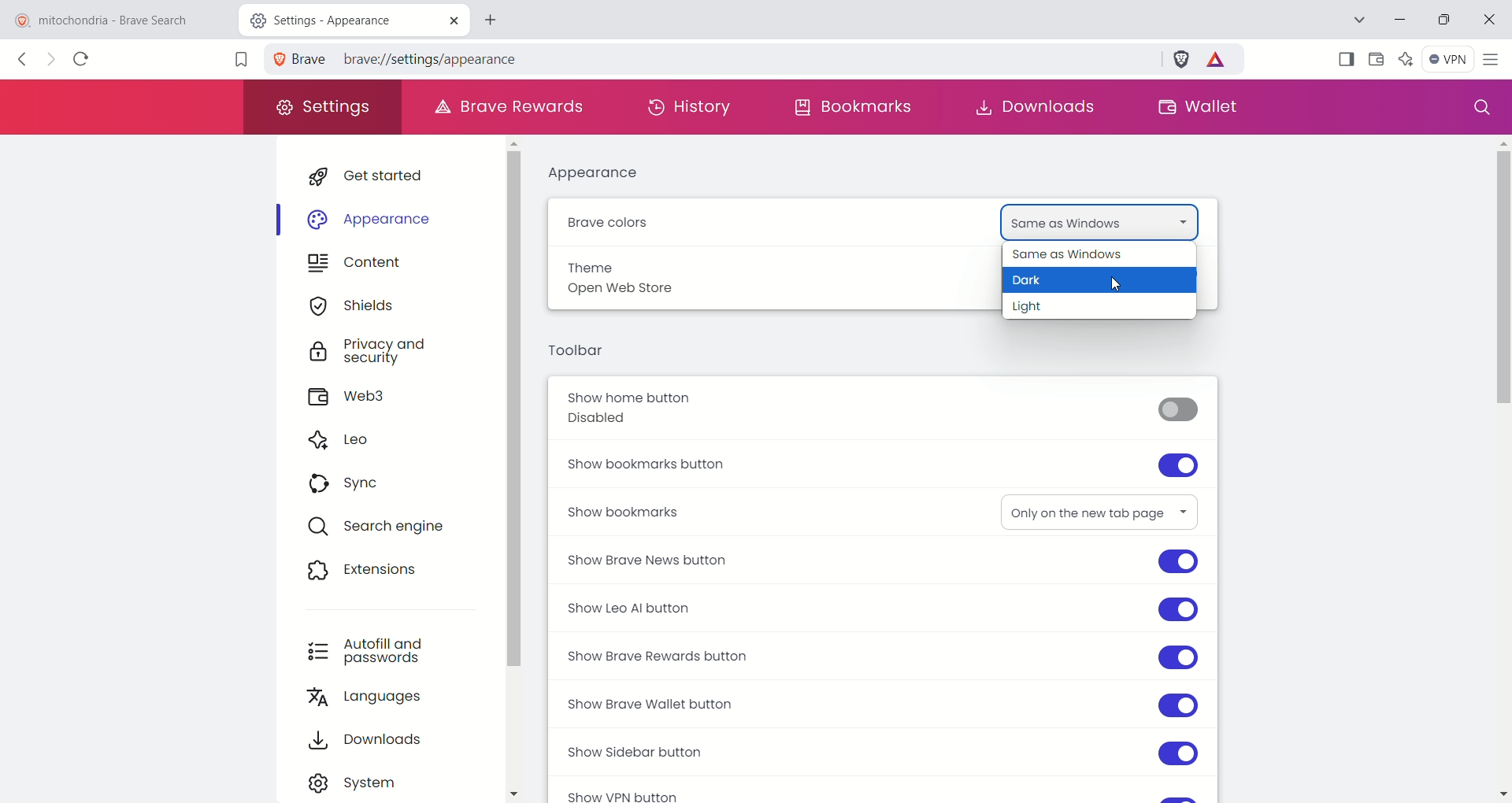 The width and height of the screenshot is (1512, 803). Describe the element at coordinates (1198, 106) in the screenshot. I see `wallet` at that location.